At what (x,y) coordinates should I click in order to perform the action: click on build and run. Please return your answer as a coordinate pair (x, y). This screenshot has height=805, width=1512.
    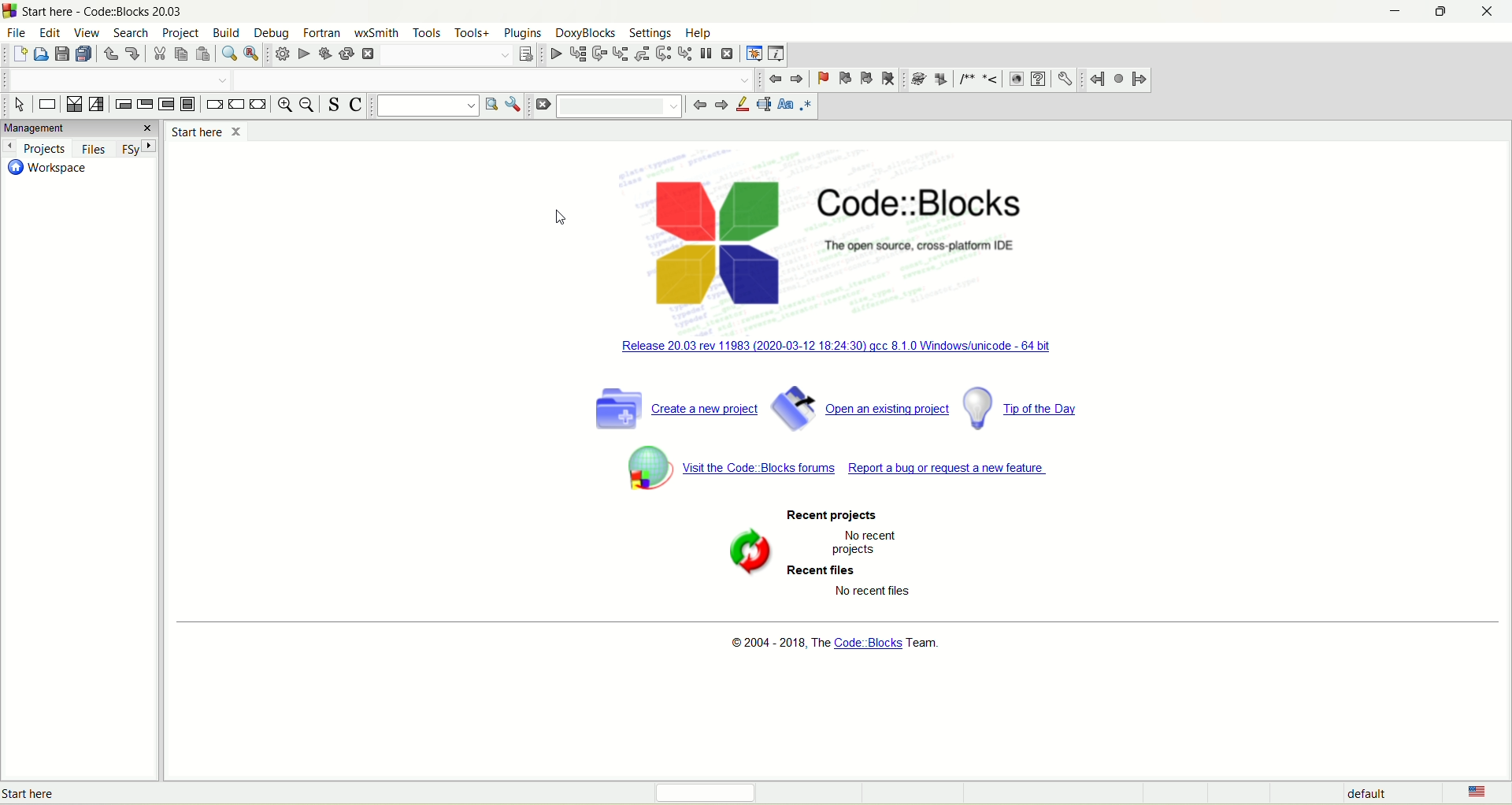
    Looking at the image, I should click on (324, 54).